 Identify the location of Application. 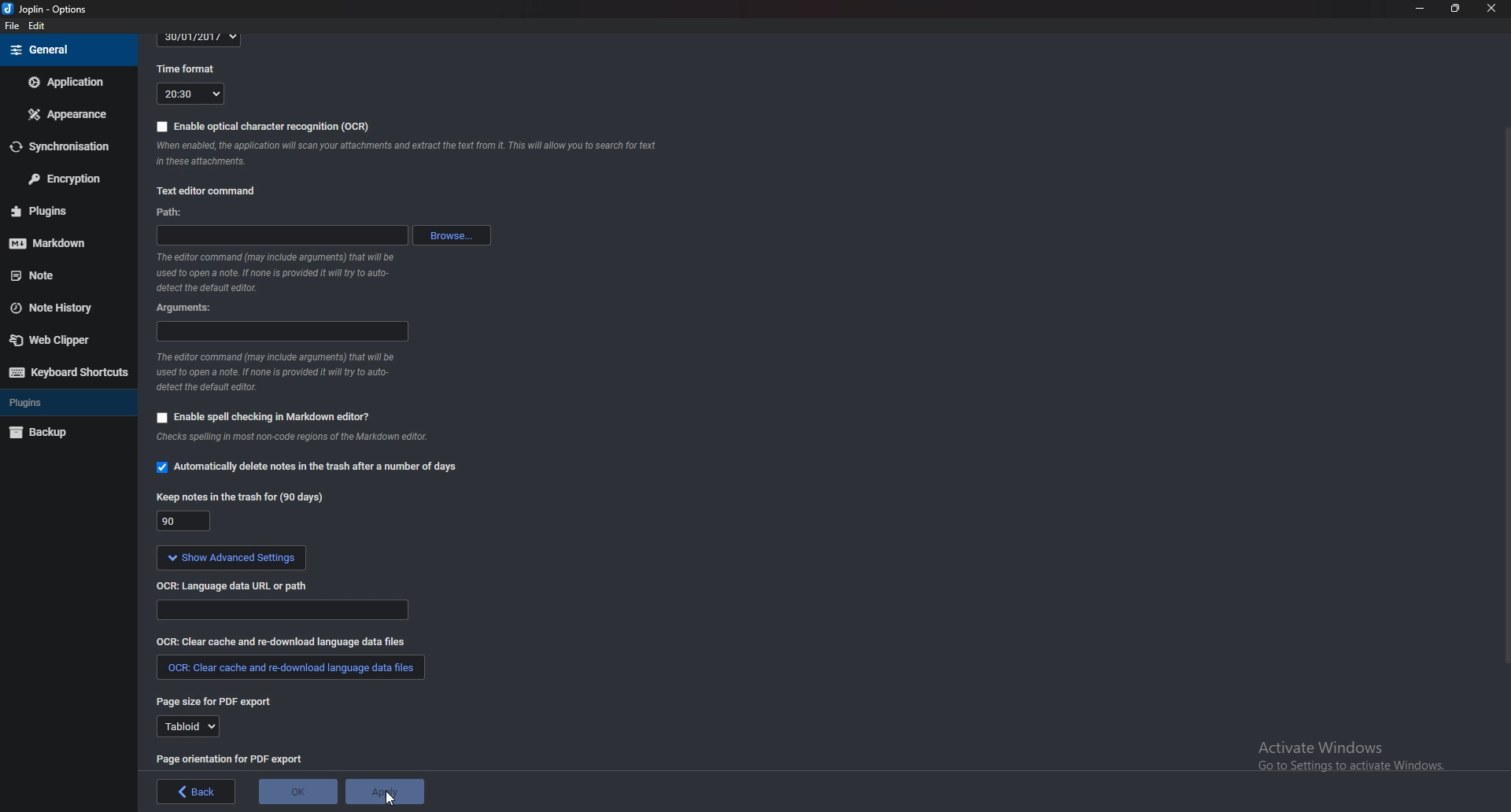
(67, 81).